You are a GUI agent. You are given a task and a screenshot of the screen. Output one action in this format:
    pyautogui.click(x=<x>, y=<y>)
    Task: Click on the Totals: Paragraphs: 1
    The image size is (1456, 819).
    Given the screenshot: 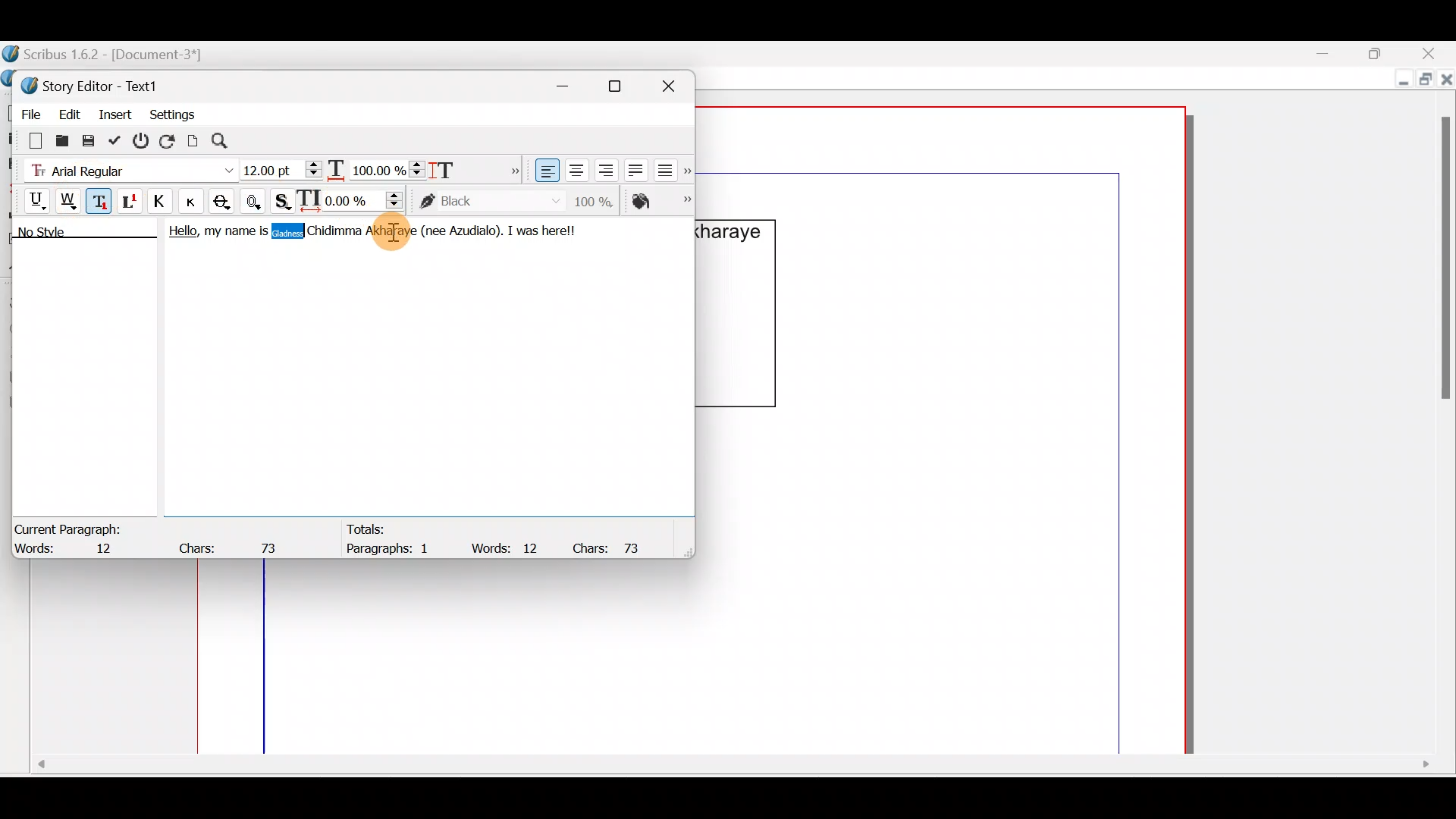 What is the action you would take?
    pyautogui.click(x=391, y=538)
    